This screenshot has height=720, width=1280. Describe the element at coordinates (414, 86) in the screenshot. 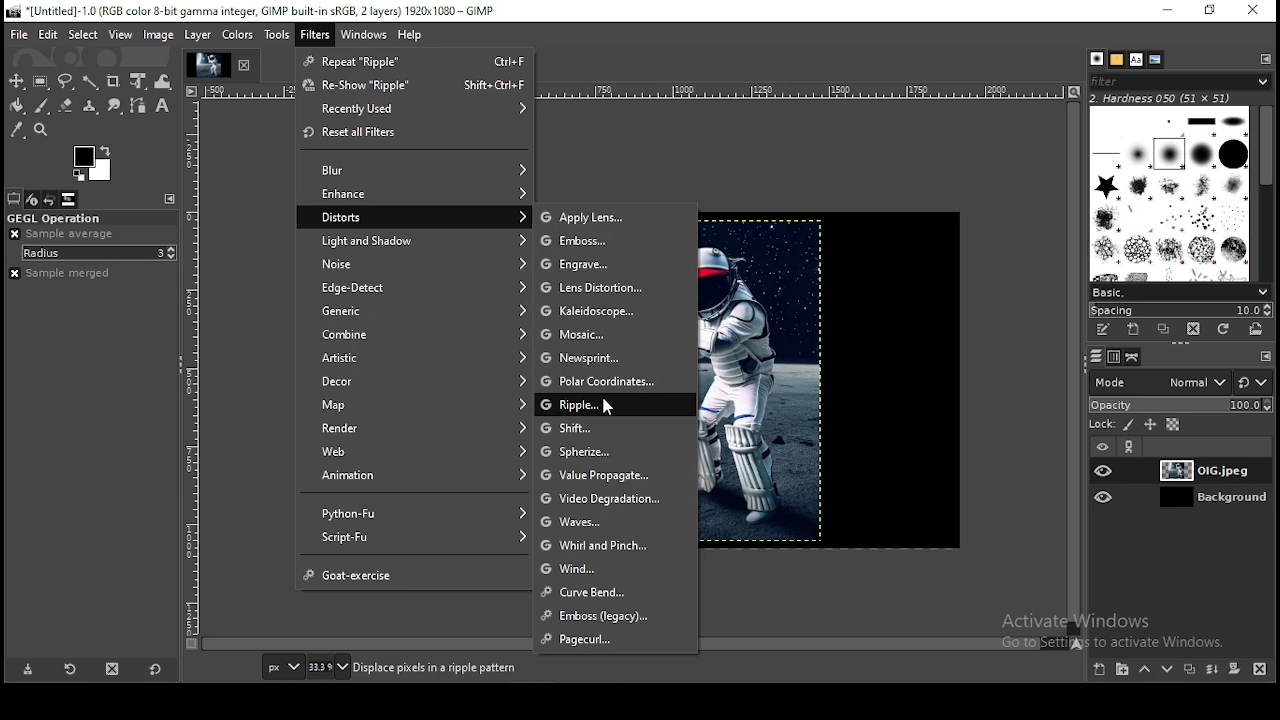

I see `reshow "ripple"` at that location.